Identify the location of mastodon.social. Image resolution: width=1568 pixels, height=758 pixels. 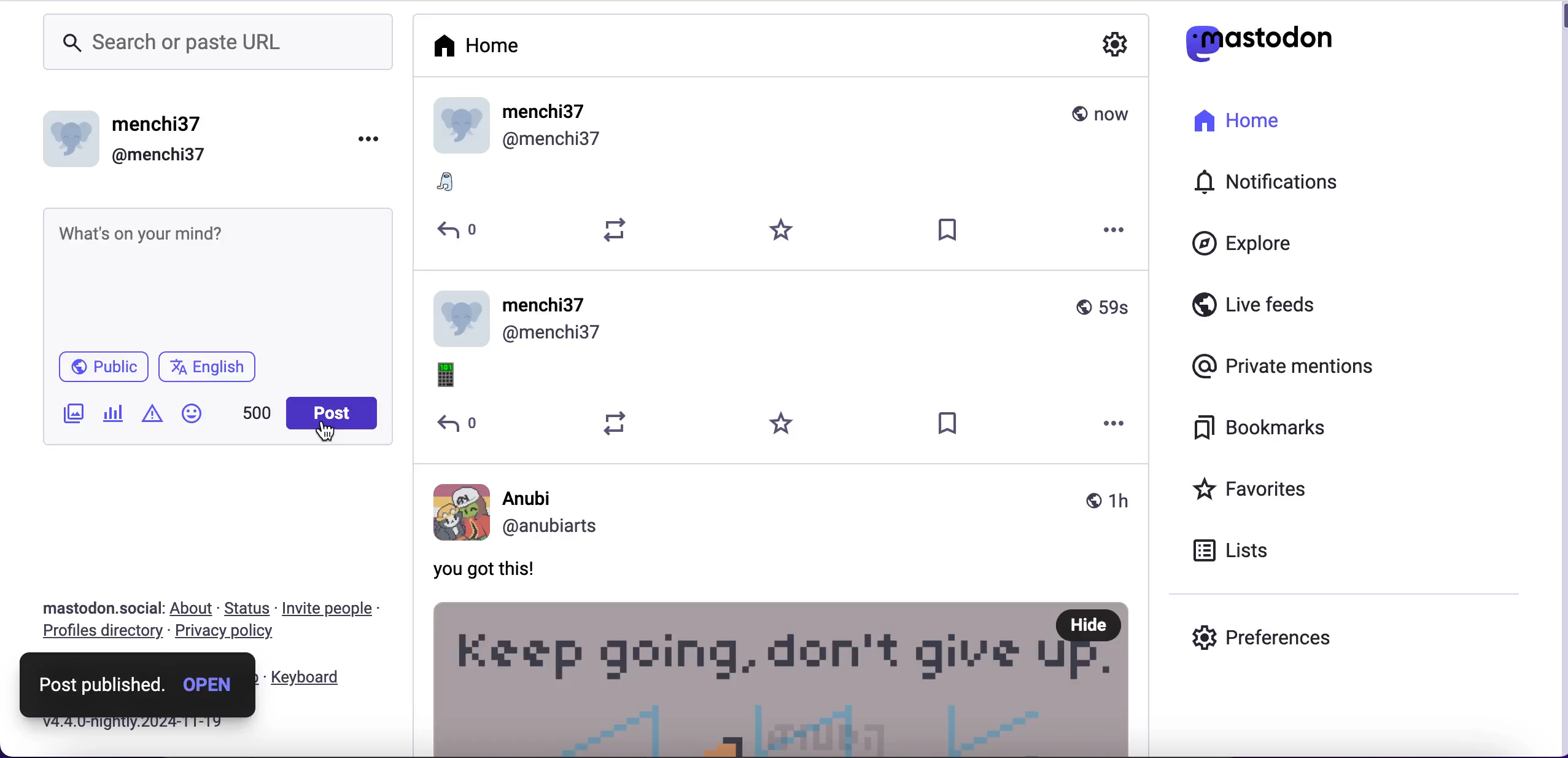
(100, 609).